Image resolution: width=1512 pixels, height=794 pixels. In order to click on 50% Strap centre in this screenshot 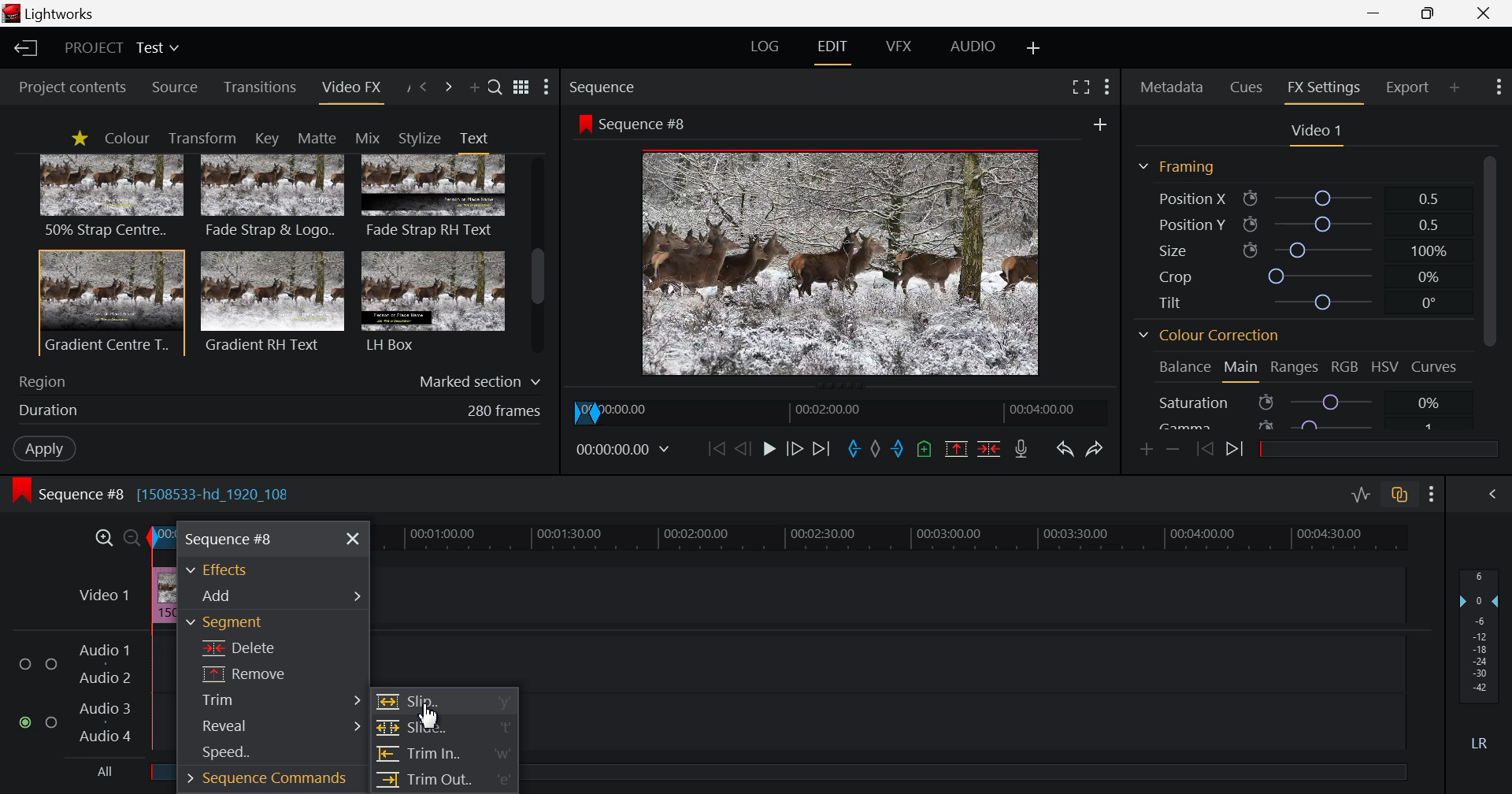, I will do `click(113, 195)`.